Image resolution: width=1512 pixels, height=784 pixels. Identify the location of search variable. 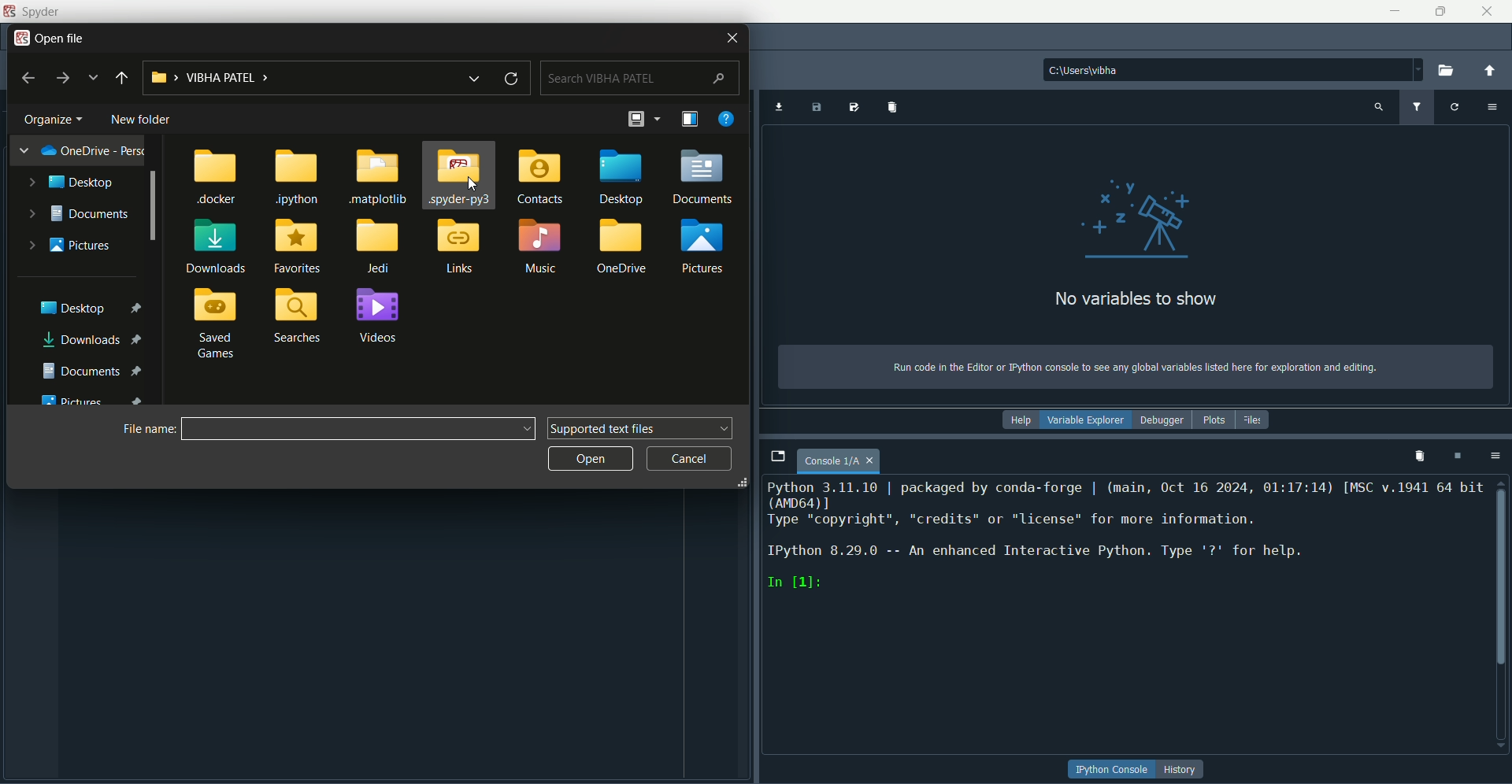
(1377, 108).